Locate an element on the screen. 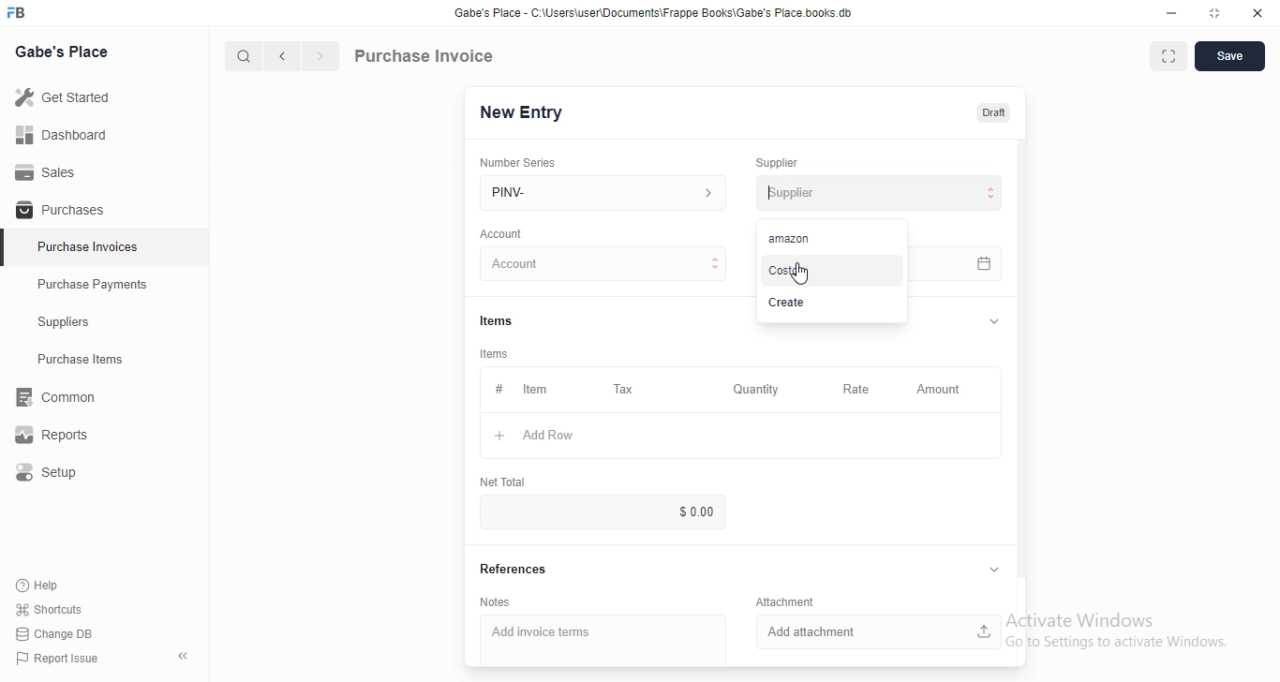 This screenshot has width=1280, height=682. Draft is located at coordinates (994, 113).